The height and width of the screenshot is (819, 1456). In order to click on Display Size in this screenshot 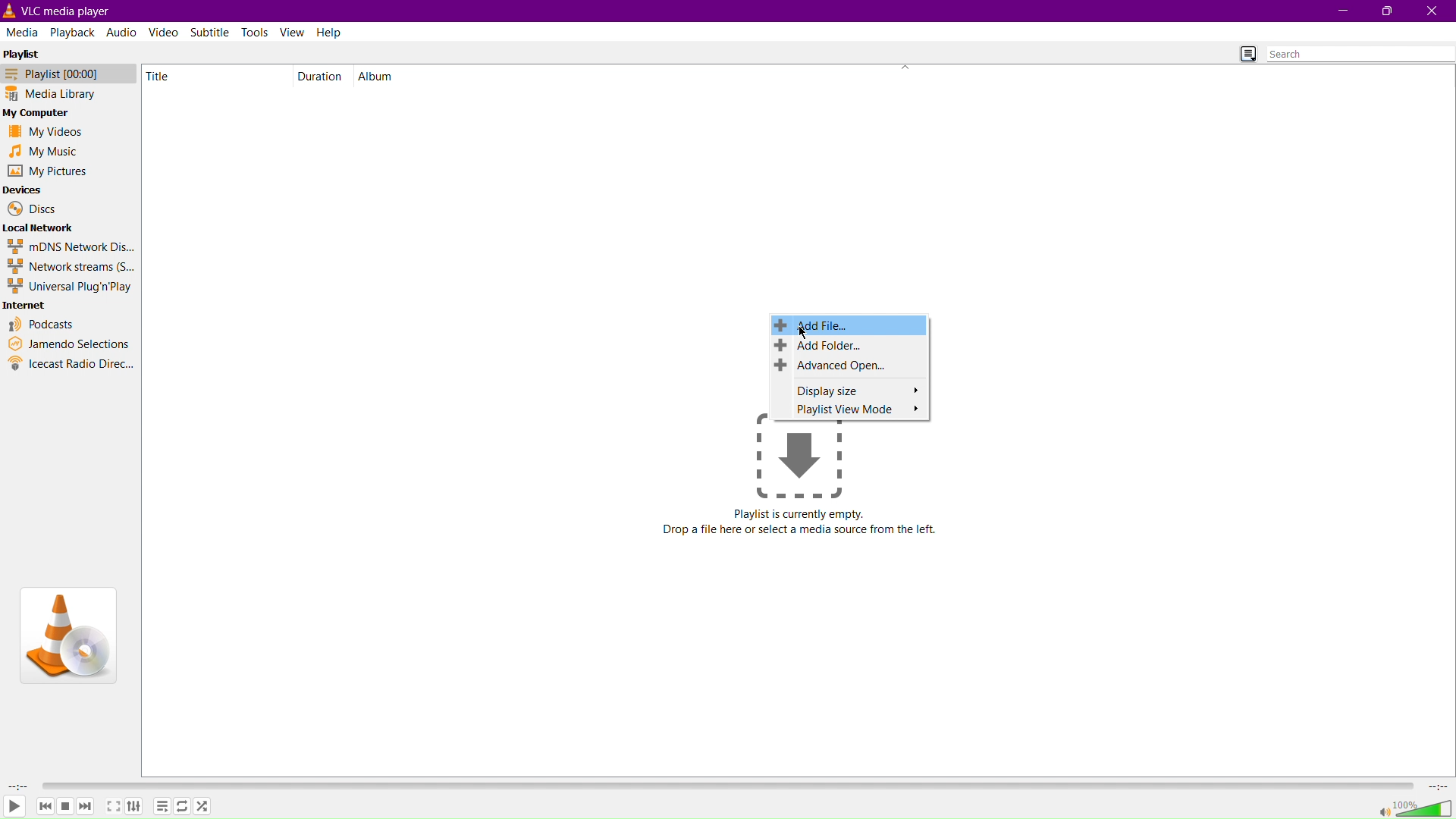, I will do `click(850, 390)`.